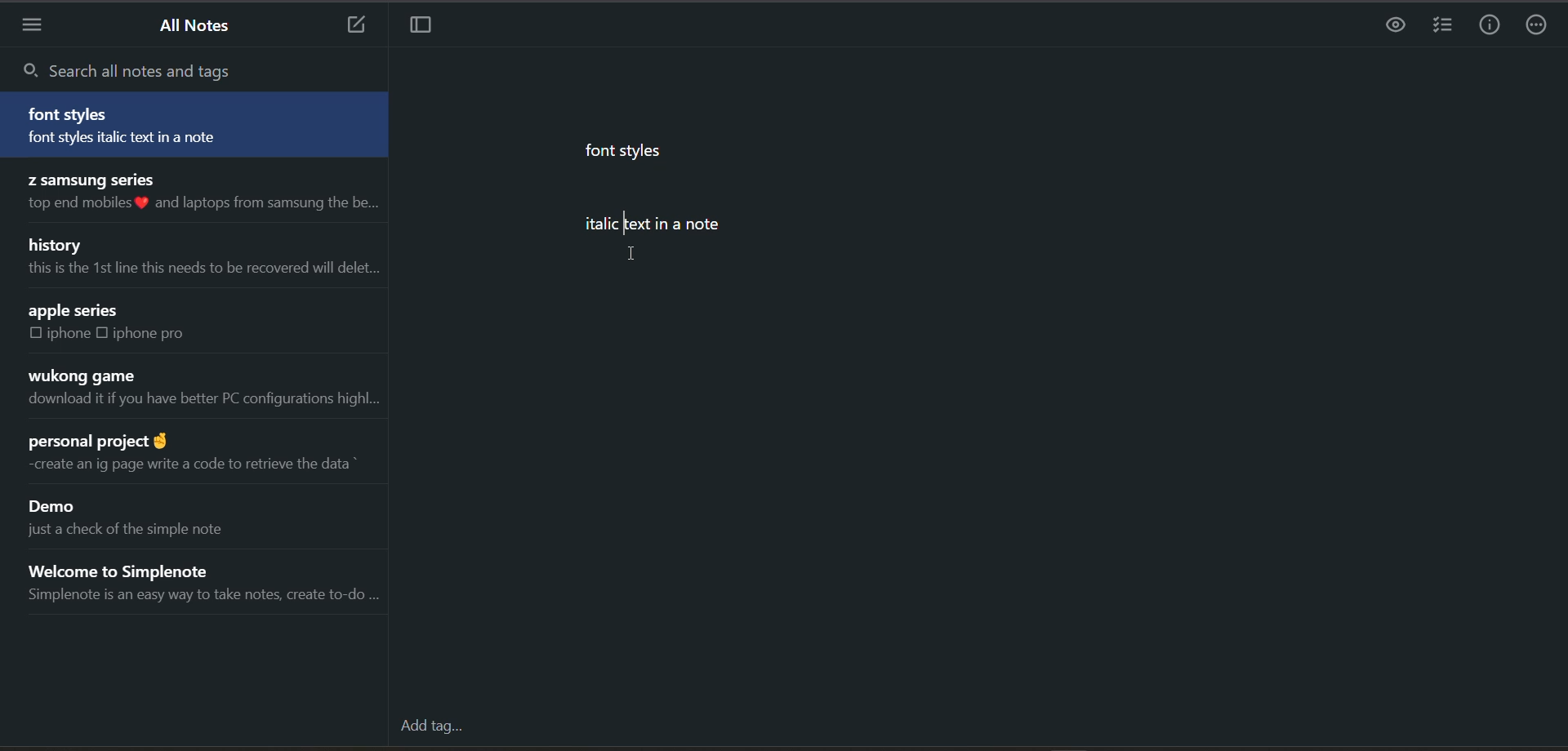 Image resolution: width=1568 pixels, height=751 pixels. What do you see at coordinates (136, 327) in the screenshot?
I see `note title and preview` at bounding box center [136, 327].